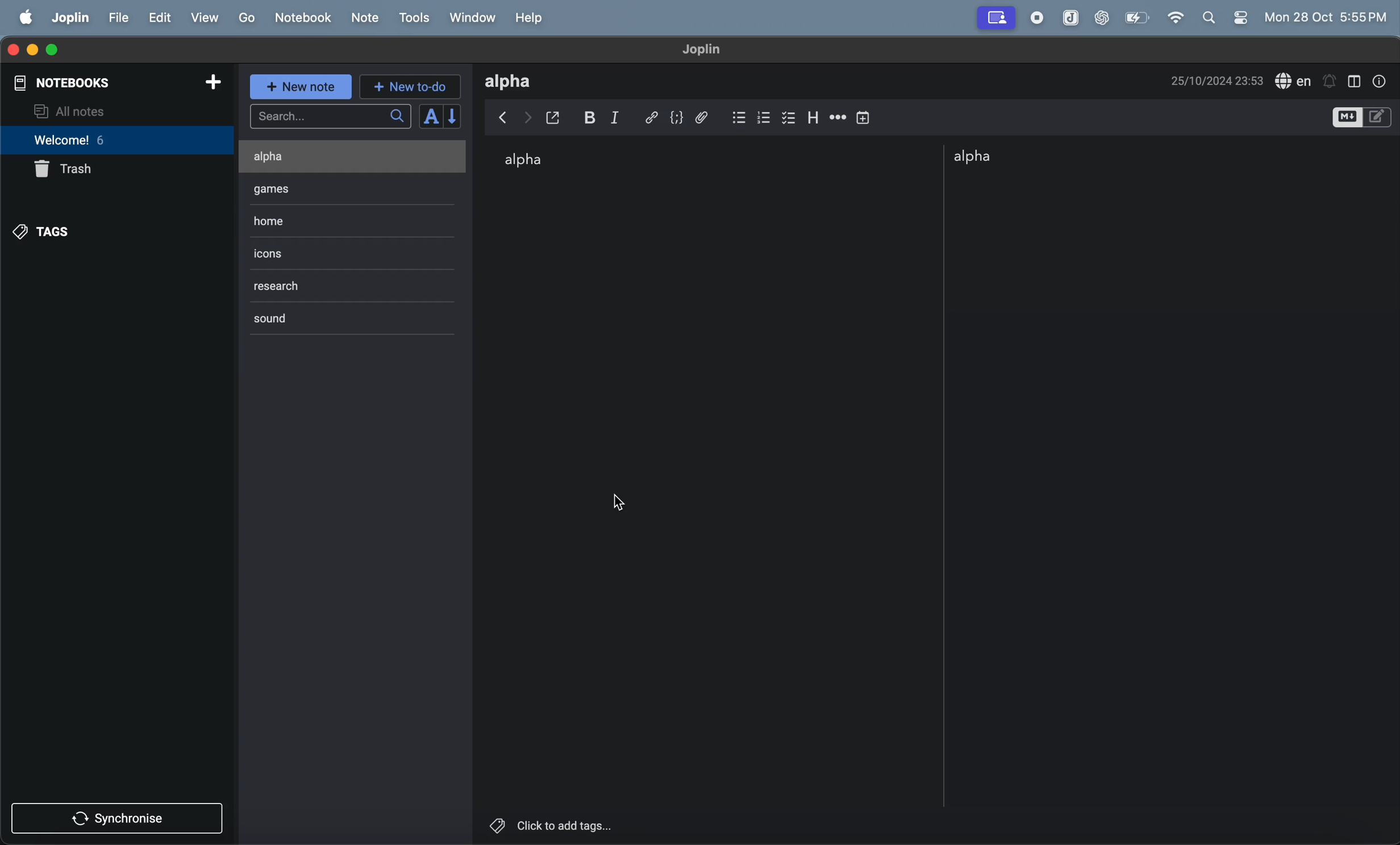 The image size is (1400, 845). What do you see at coordinates (1069, 18) in the screenshot?
I see `joplin icon` at bounding box center [1069, 18].